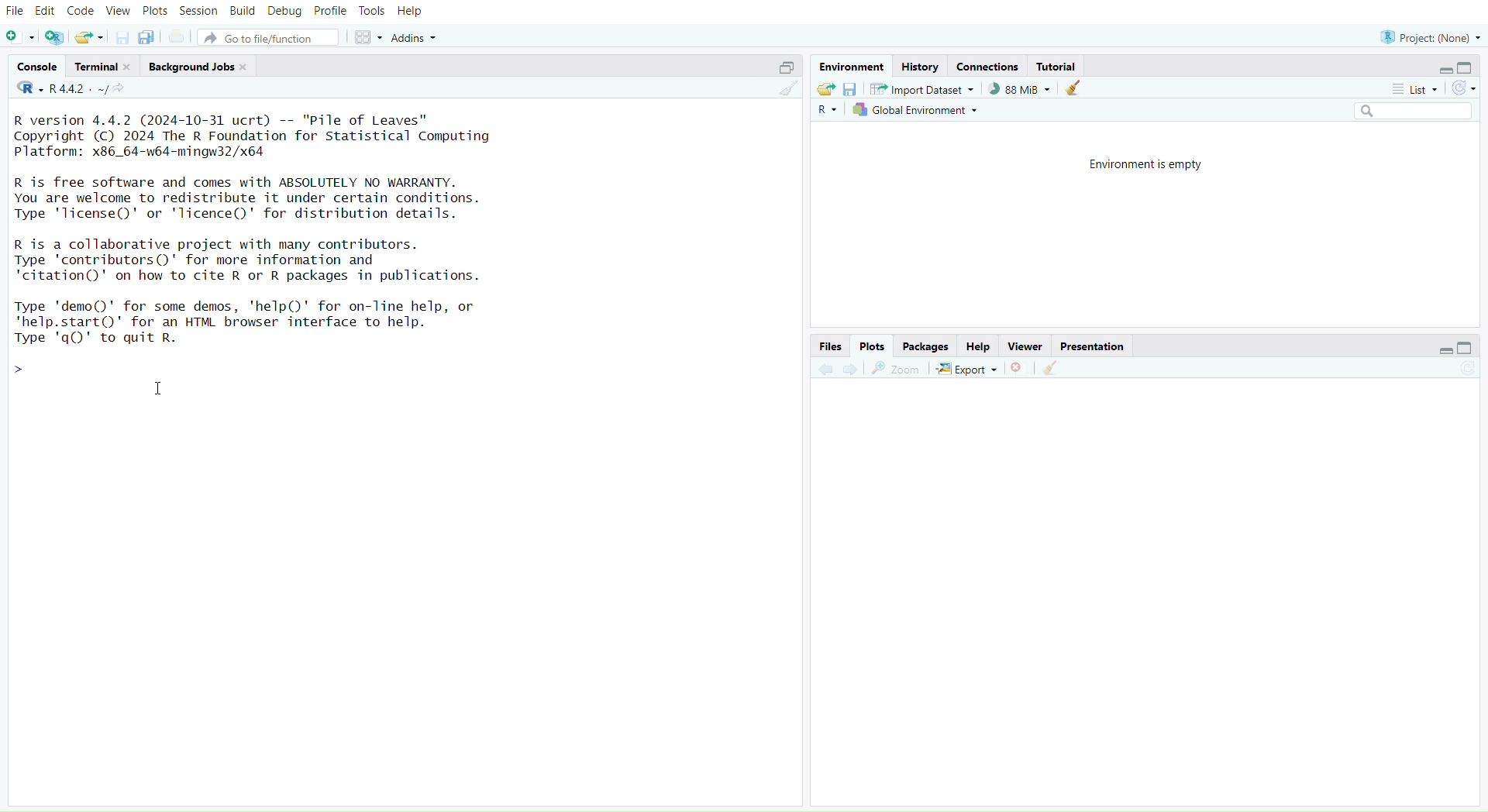 This screenshot has height=812, width=1488. I want to click on tutorial, so click(1059, 67).